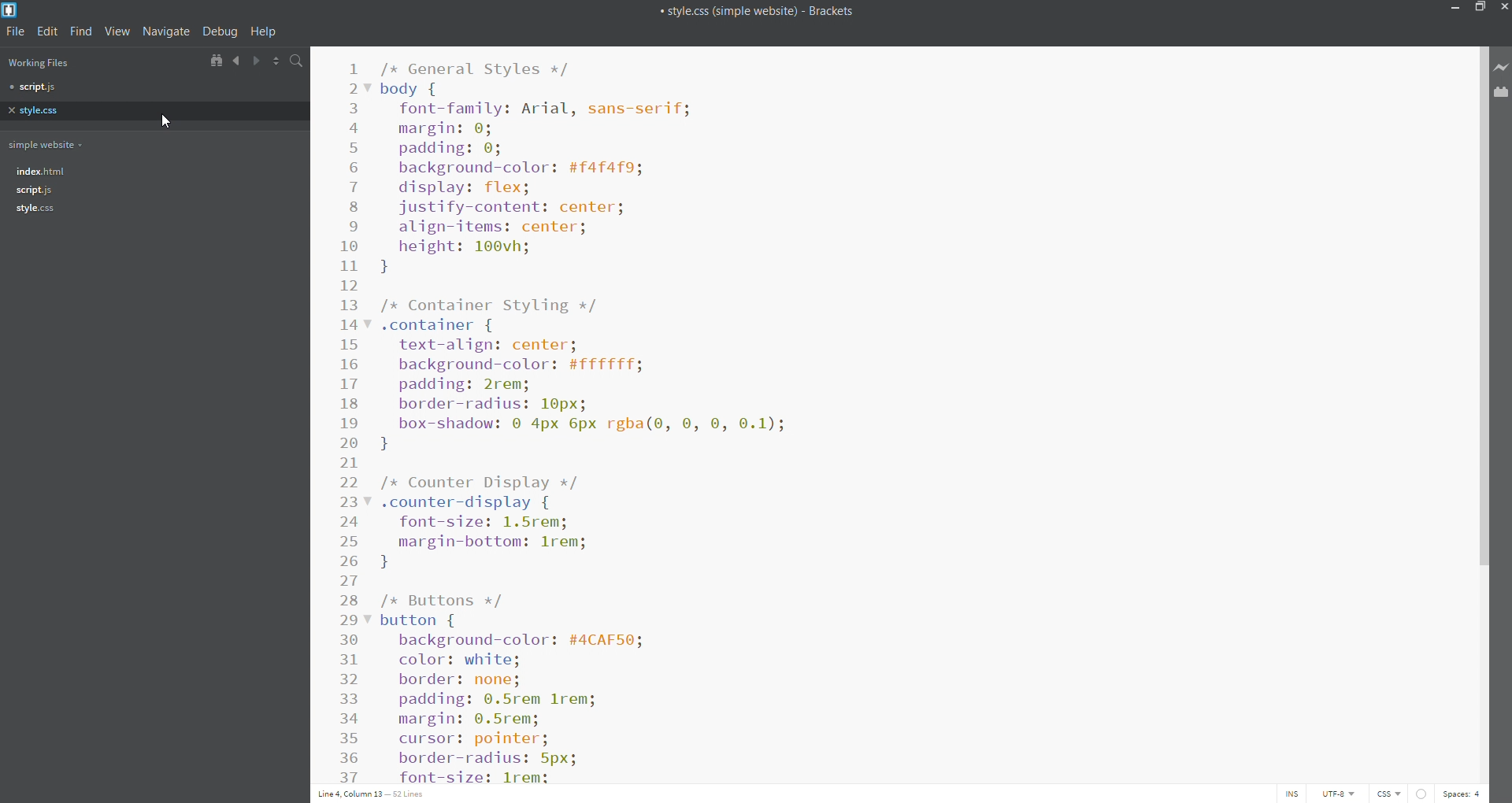  Describe the element at coordinates (152, 191) in the screenshot. I see `script.js` at that location.